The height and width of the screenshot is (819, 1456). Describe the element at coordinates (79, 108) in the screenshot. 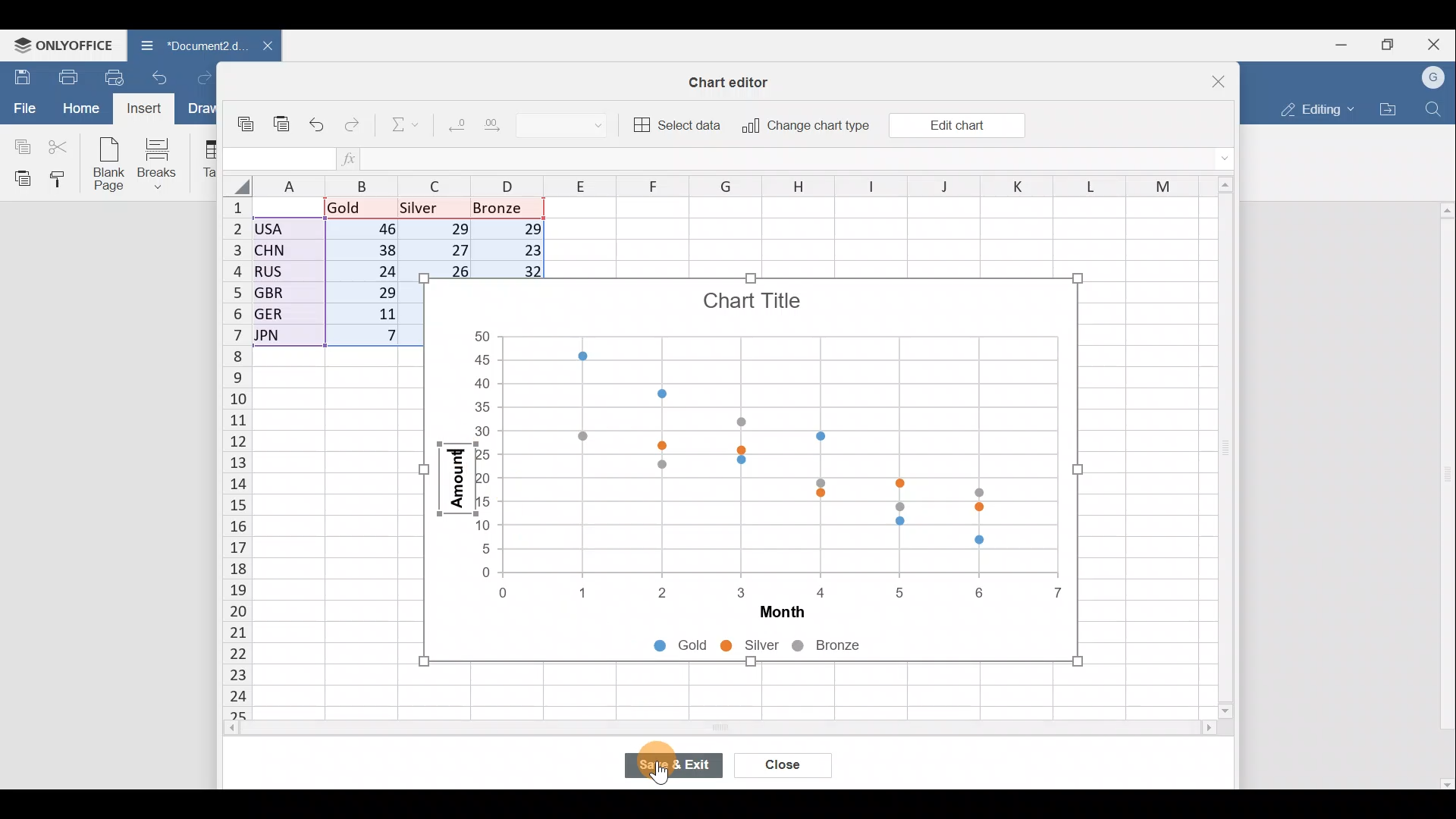

I see `Home` at that location.